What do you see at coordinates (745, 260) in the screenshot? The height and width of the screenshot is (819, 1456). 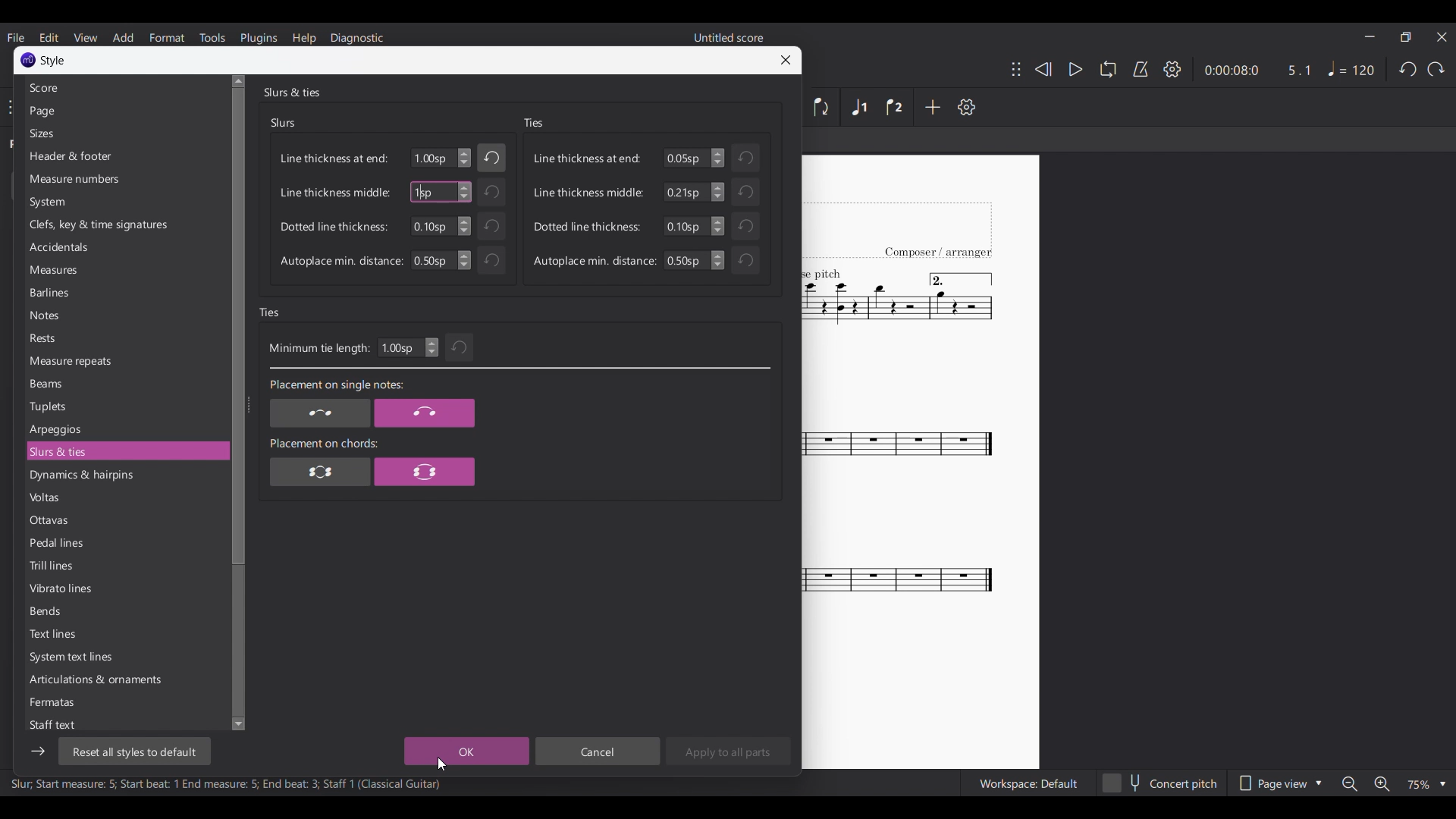 I see `Undo` at bounding box center [745, 260].